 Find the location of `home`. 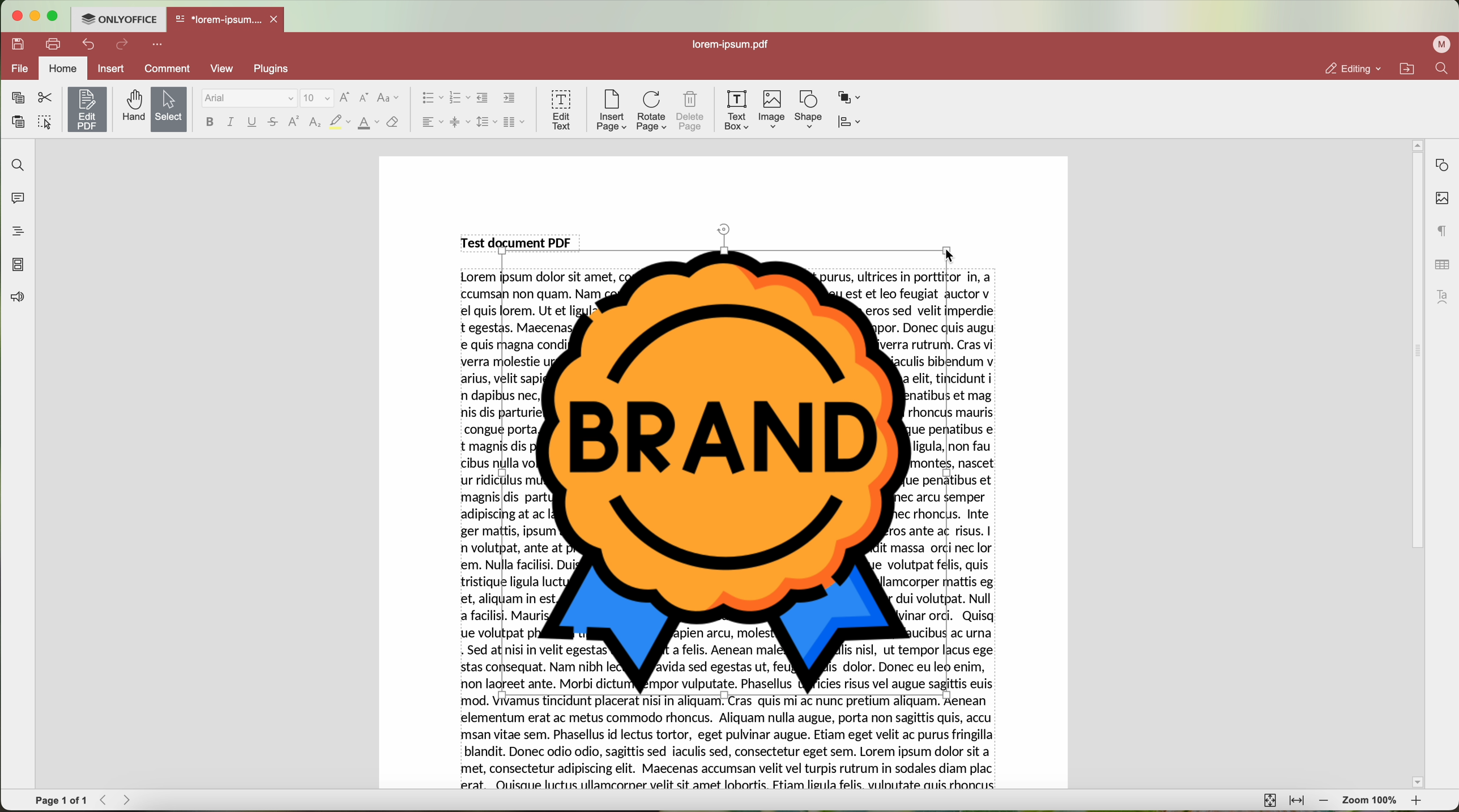

home is located at coordinates (63, 70).